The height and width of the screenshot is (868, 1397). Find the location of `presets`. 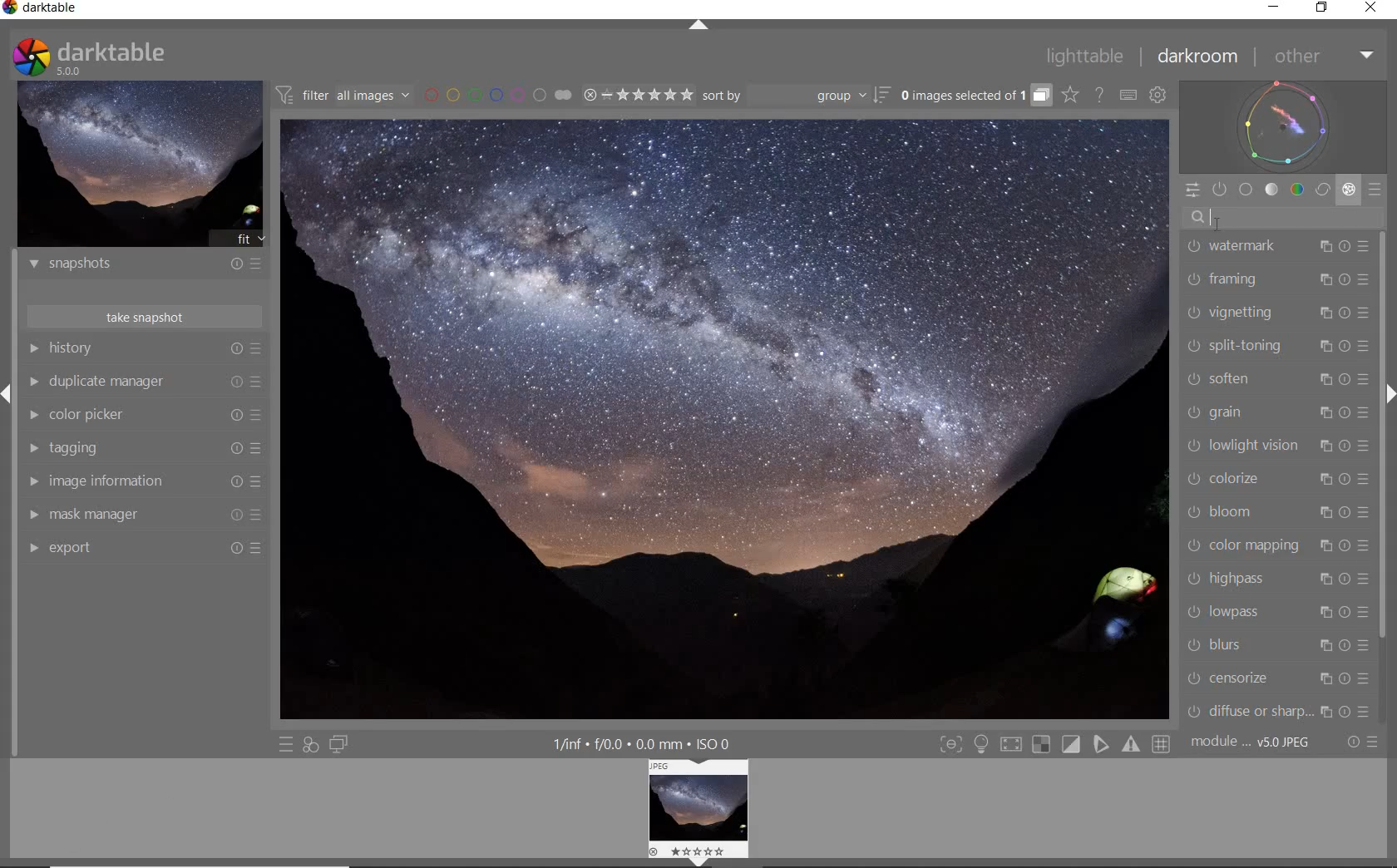

presets is located at coordinates (1368, 713).